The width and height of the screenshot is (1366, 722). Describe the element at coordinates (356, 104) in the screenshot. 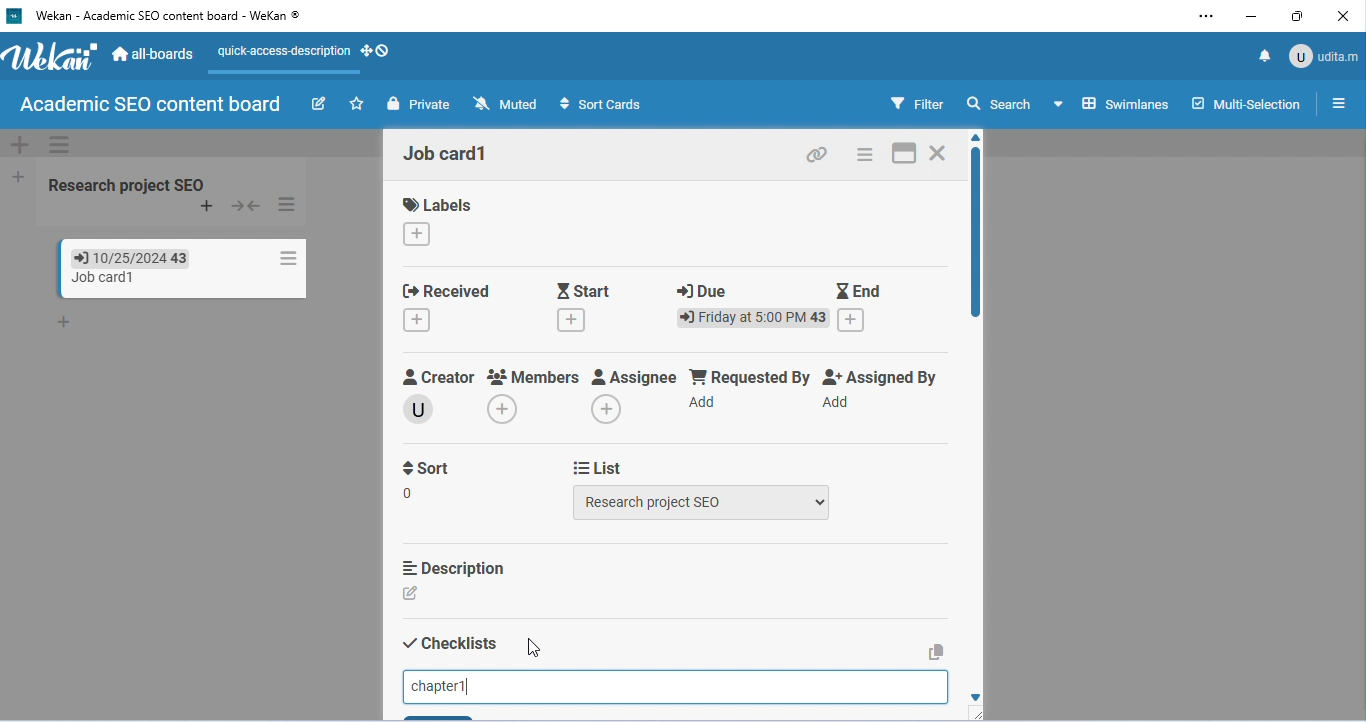

I see `click to star this board` at that location.